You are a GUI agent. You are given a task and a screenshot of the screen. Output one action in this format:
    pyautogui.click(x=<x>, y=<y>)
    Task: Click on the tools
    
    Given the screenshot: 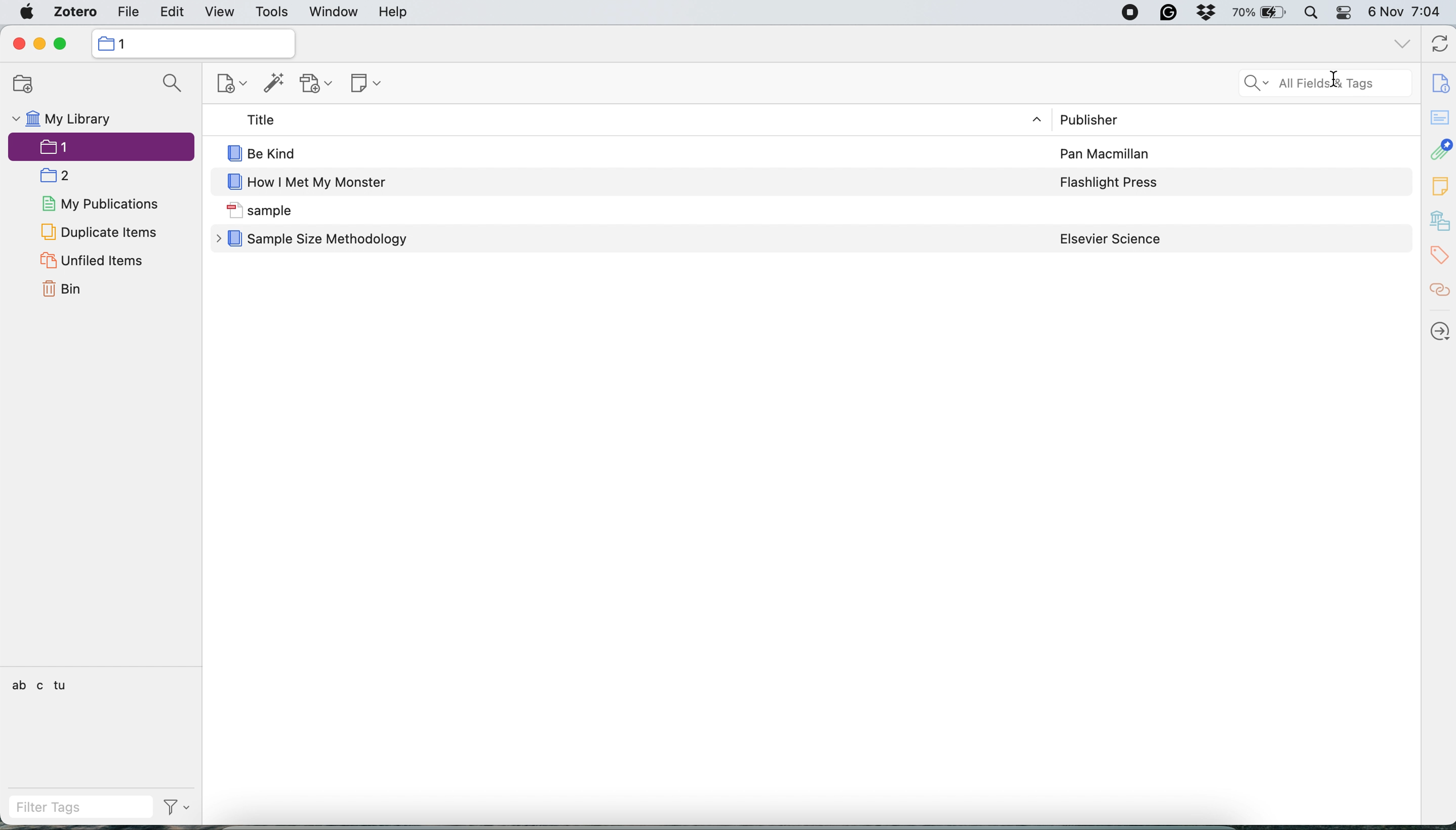 What is the action you would take?
    pyautogui.click(x=277, y=13)
    